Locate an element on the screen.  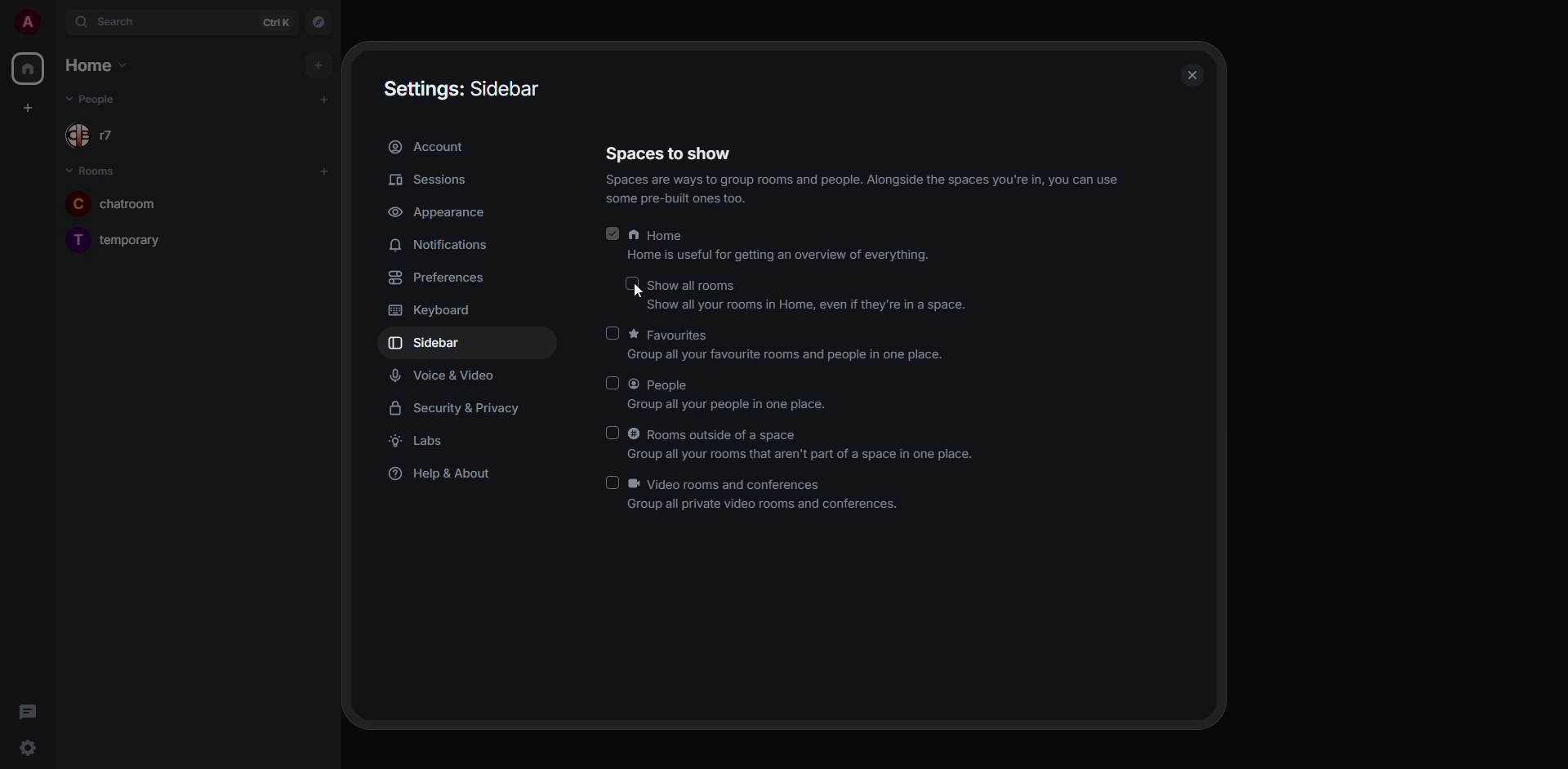
expand is located at coordinates (55, 23).